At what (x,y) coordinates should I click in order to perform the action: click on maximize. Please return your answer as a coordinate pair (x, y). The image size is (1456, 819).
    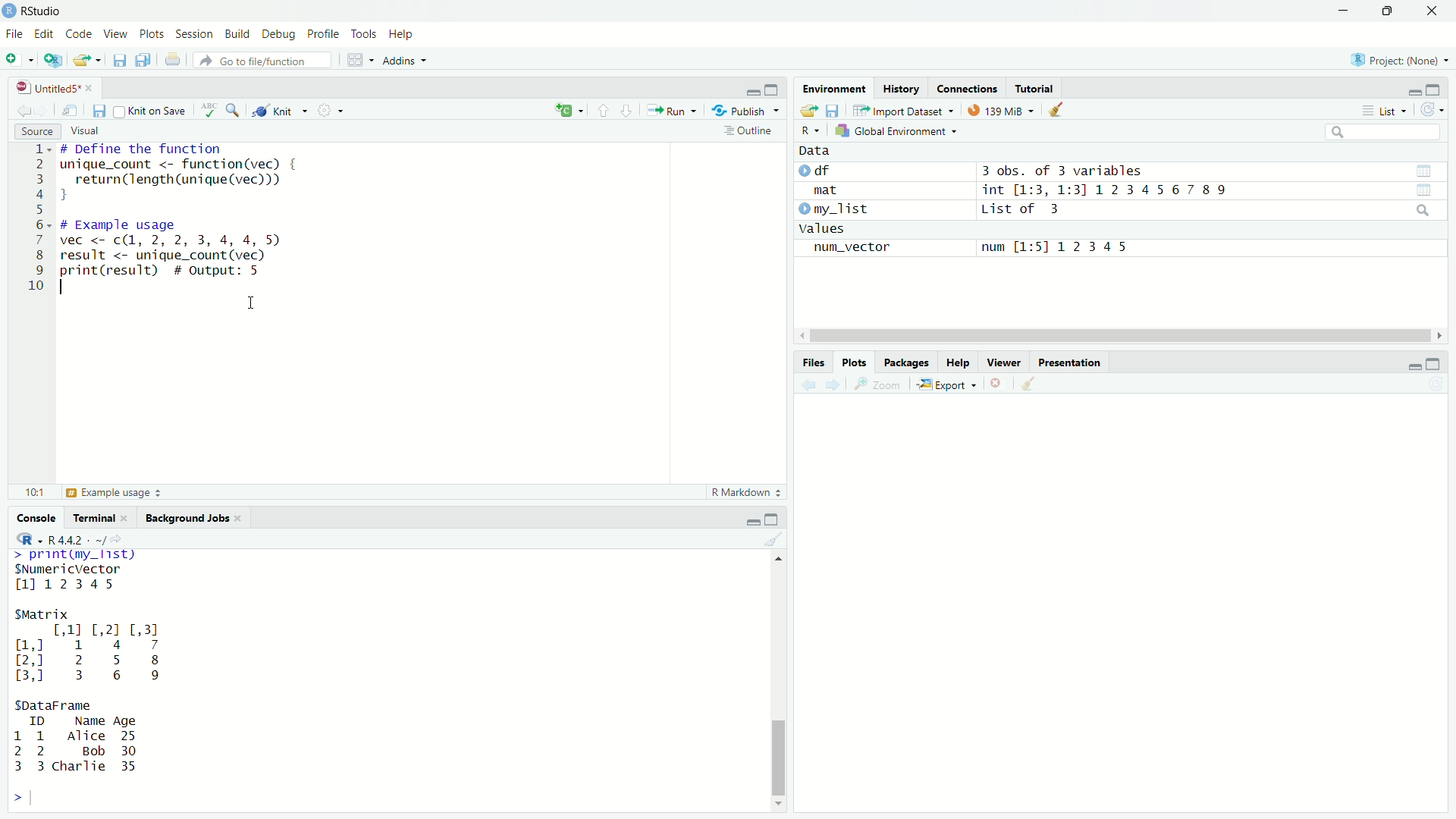
    Looking at the image, I should click on (1389, 11).